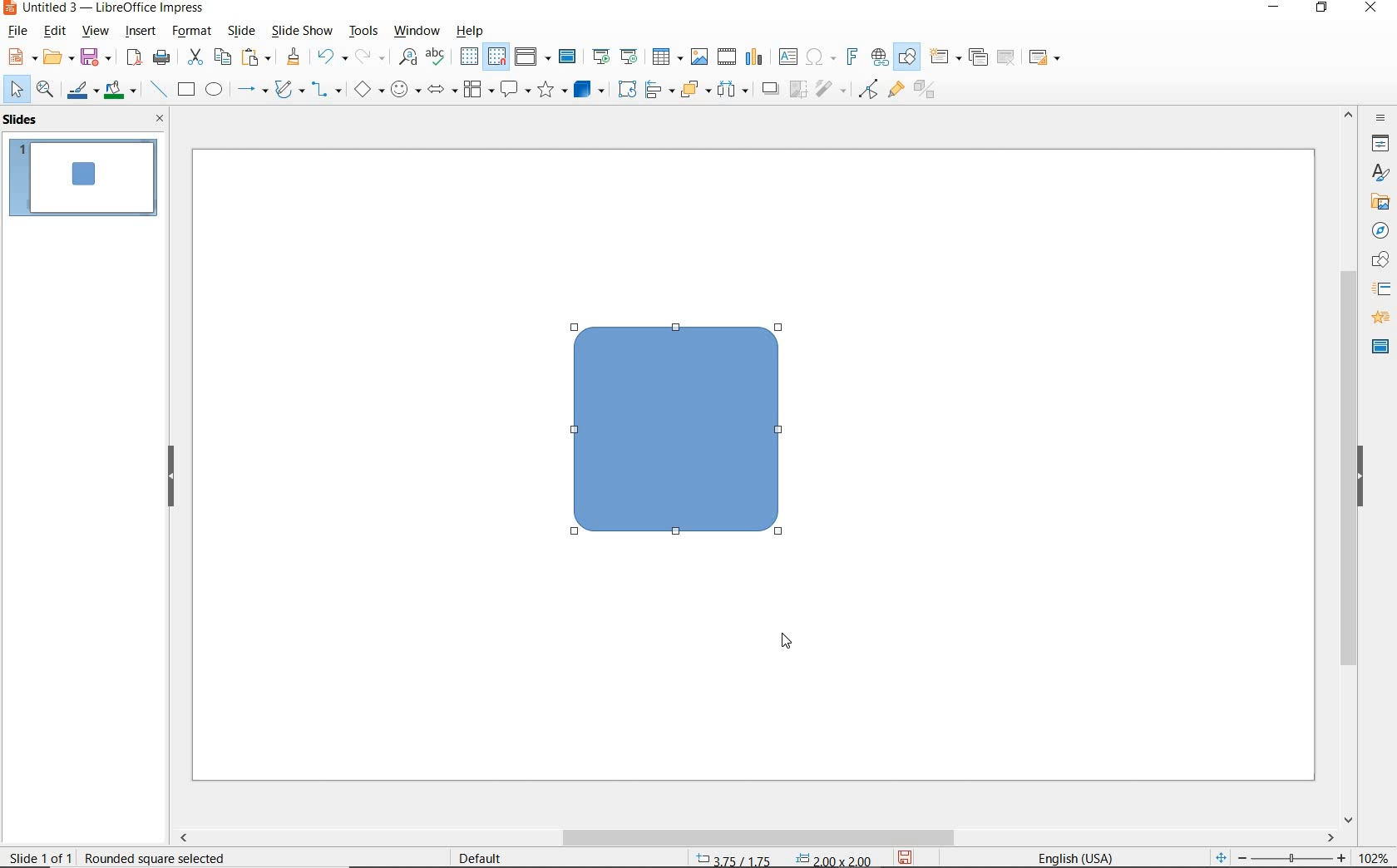 Image resolution: width=1397 pixels, height=868 pixels. What do you see at coordinates (215, 89) in the screenshot?
I see `ellipse` at bounding box center [215, 89].